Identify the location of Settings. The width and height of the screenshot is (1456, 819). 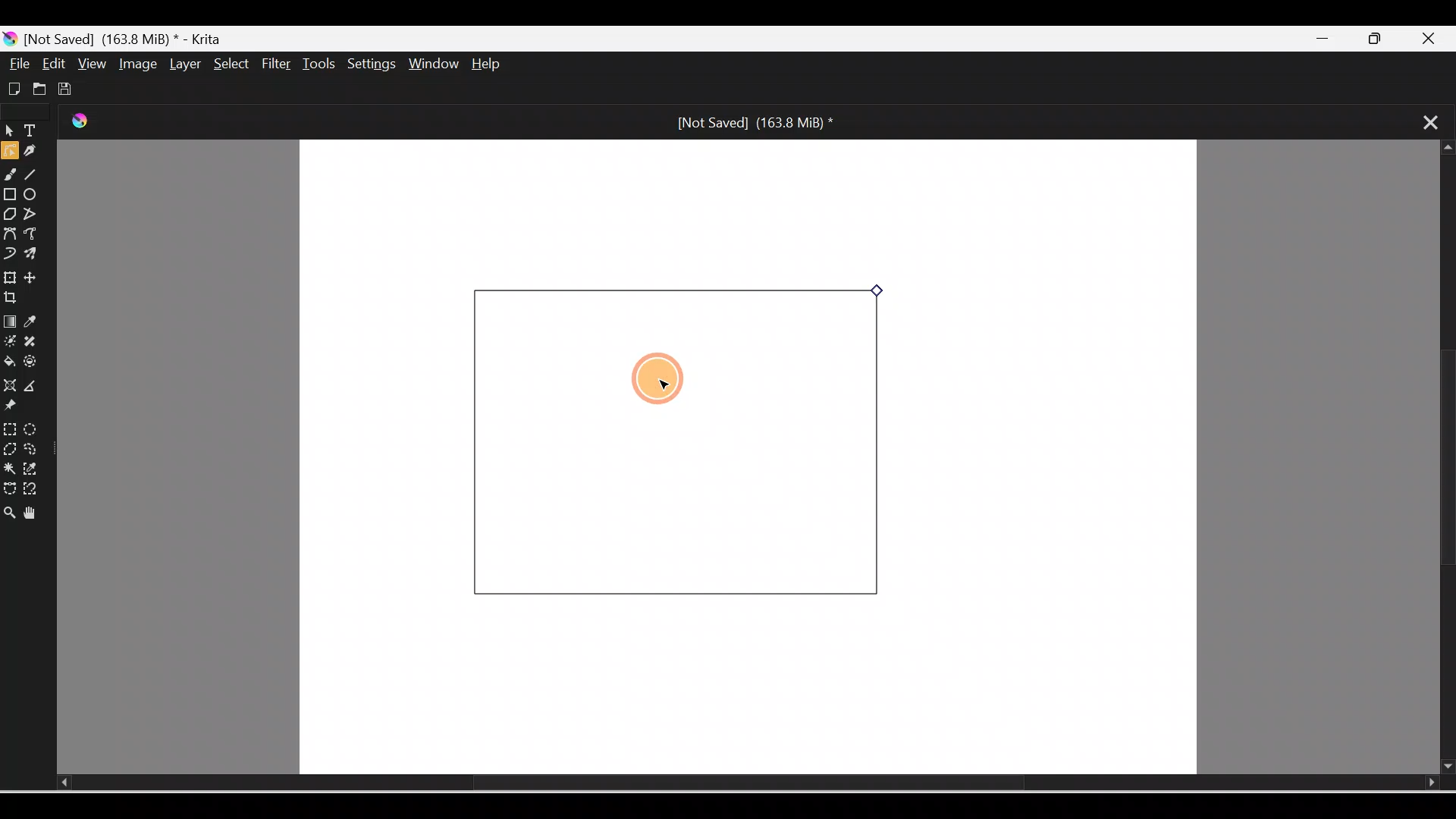
(373, 65).